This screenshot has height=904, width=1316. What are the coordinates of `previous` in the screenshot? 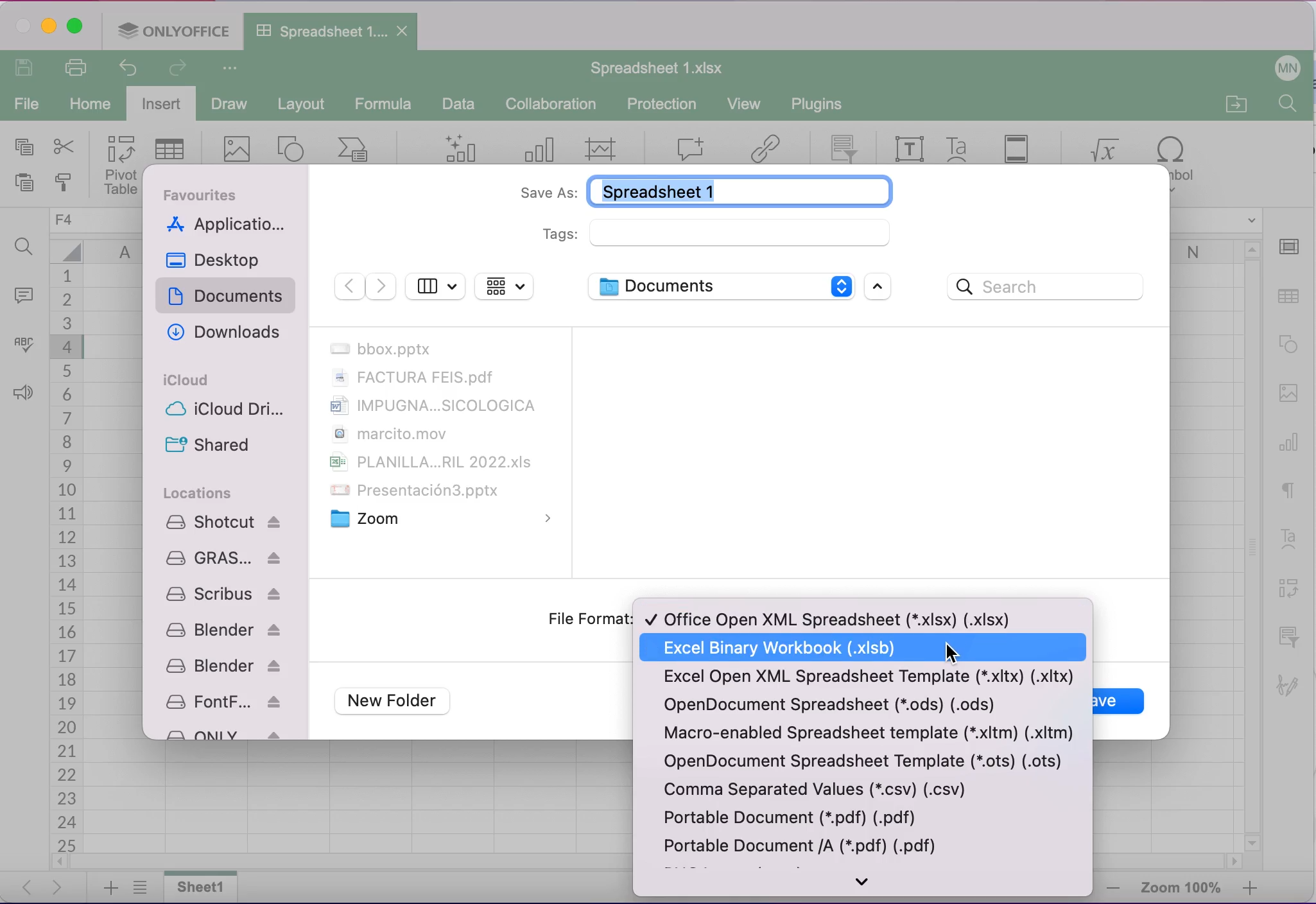 It's located at (348, 287).